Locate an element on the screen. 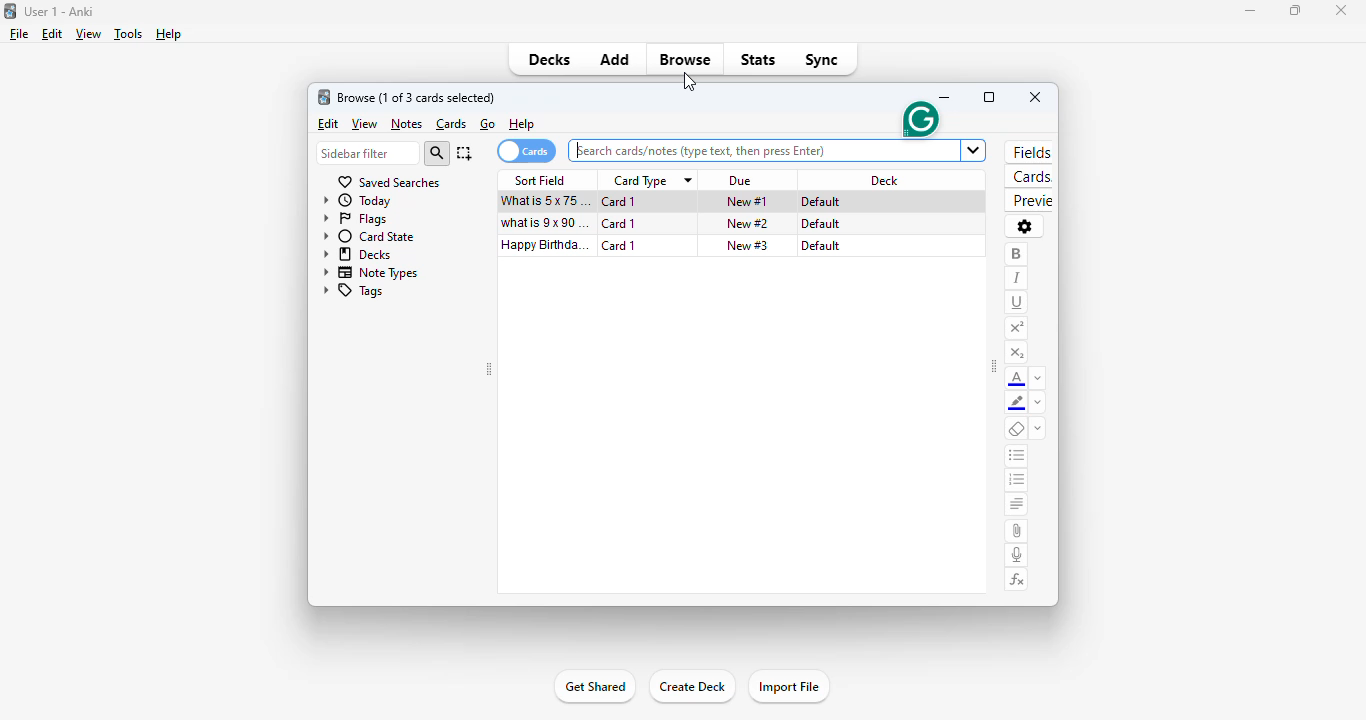 This screenshot has width=1366, height=720. minimize is located at coordinates (1251, 11).